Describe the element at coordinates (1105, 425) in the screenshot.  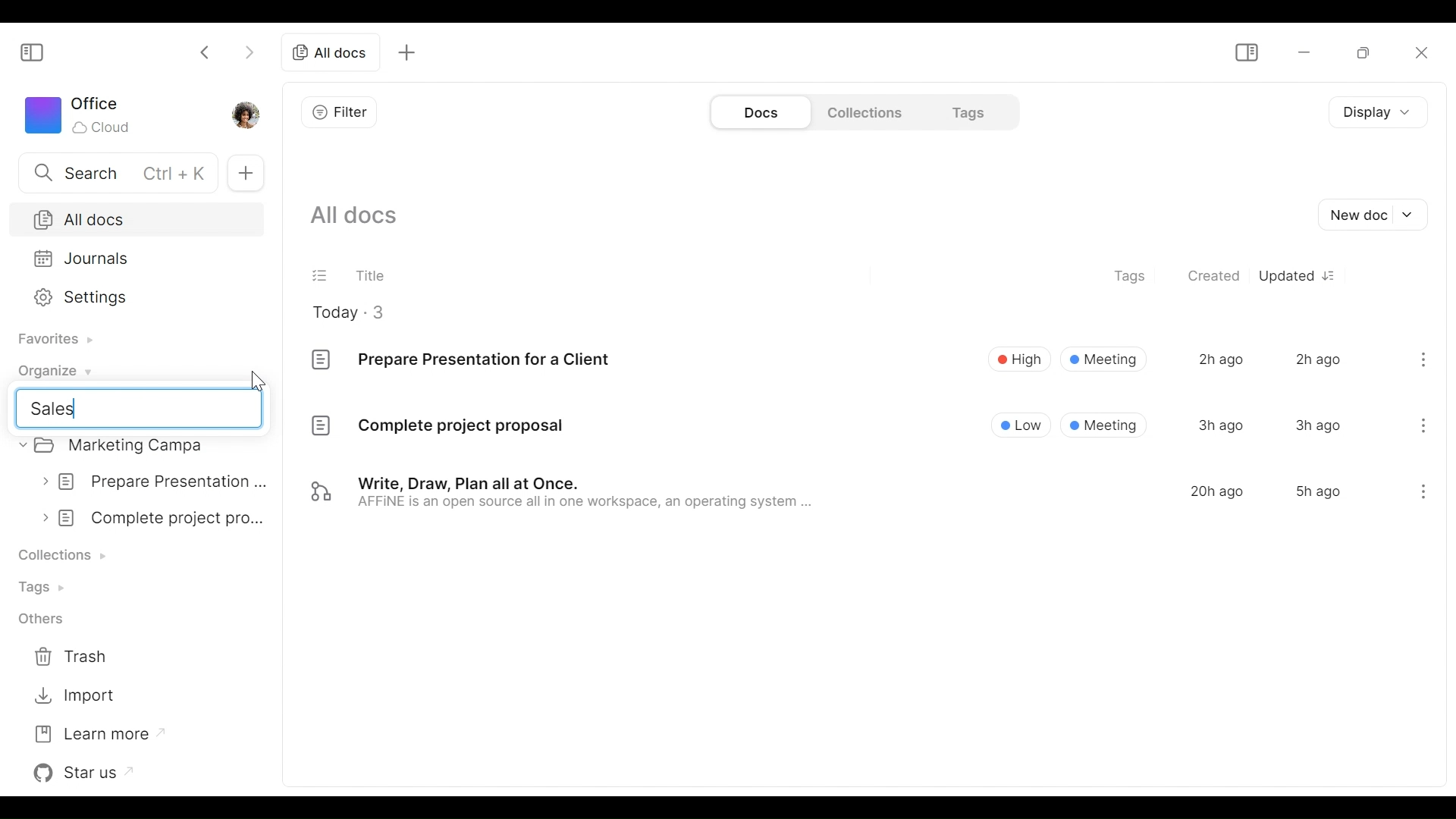
I see `® Meeting` at that location.